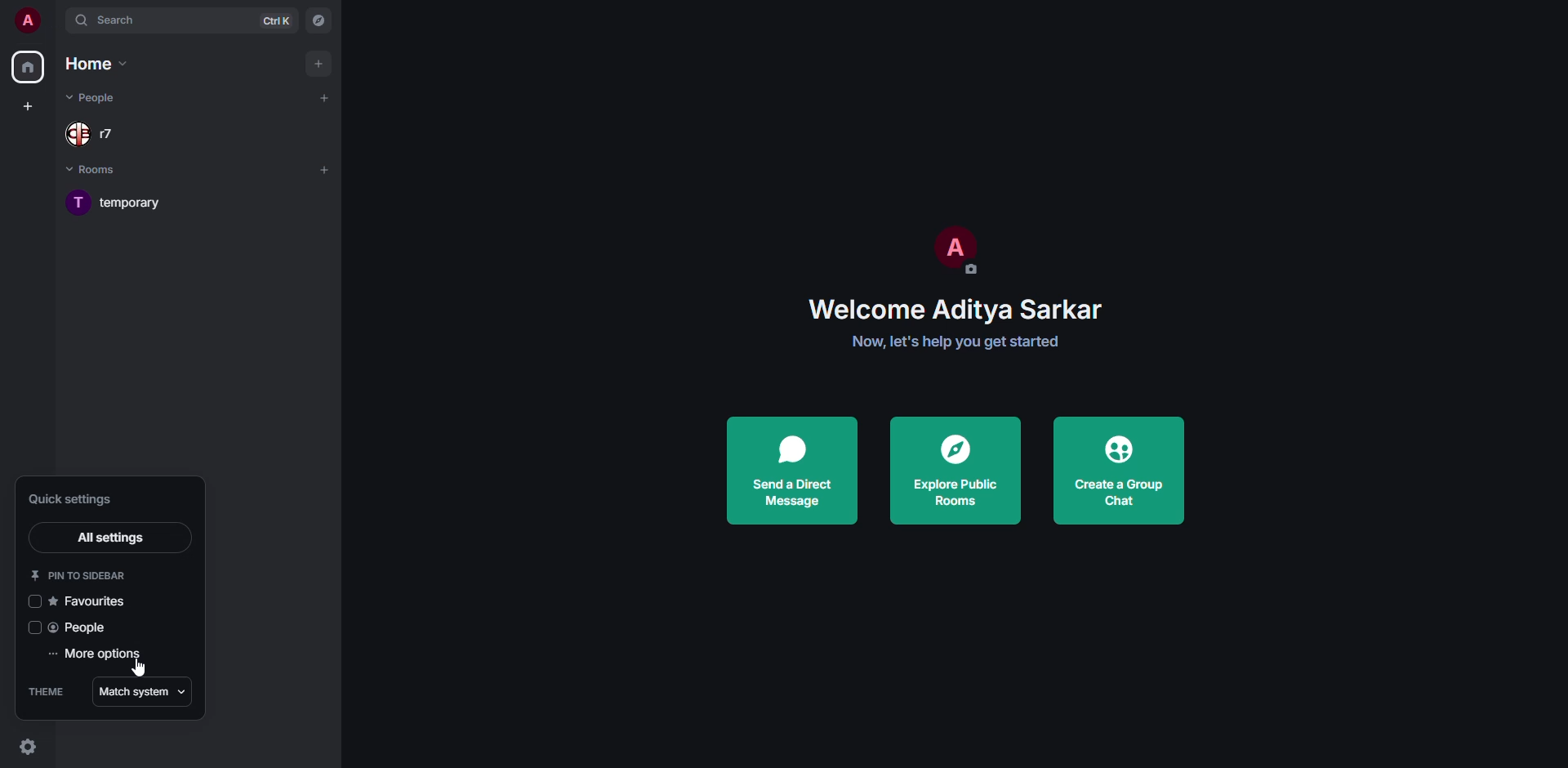  Describe the element at coordinates (144, 693) in the screenshot. I see `match system` at that location.